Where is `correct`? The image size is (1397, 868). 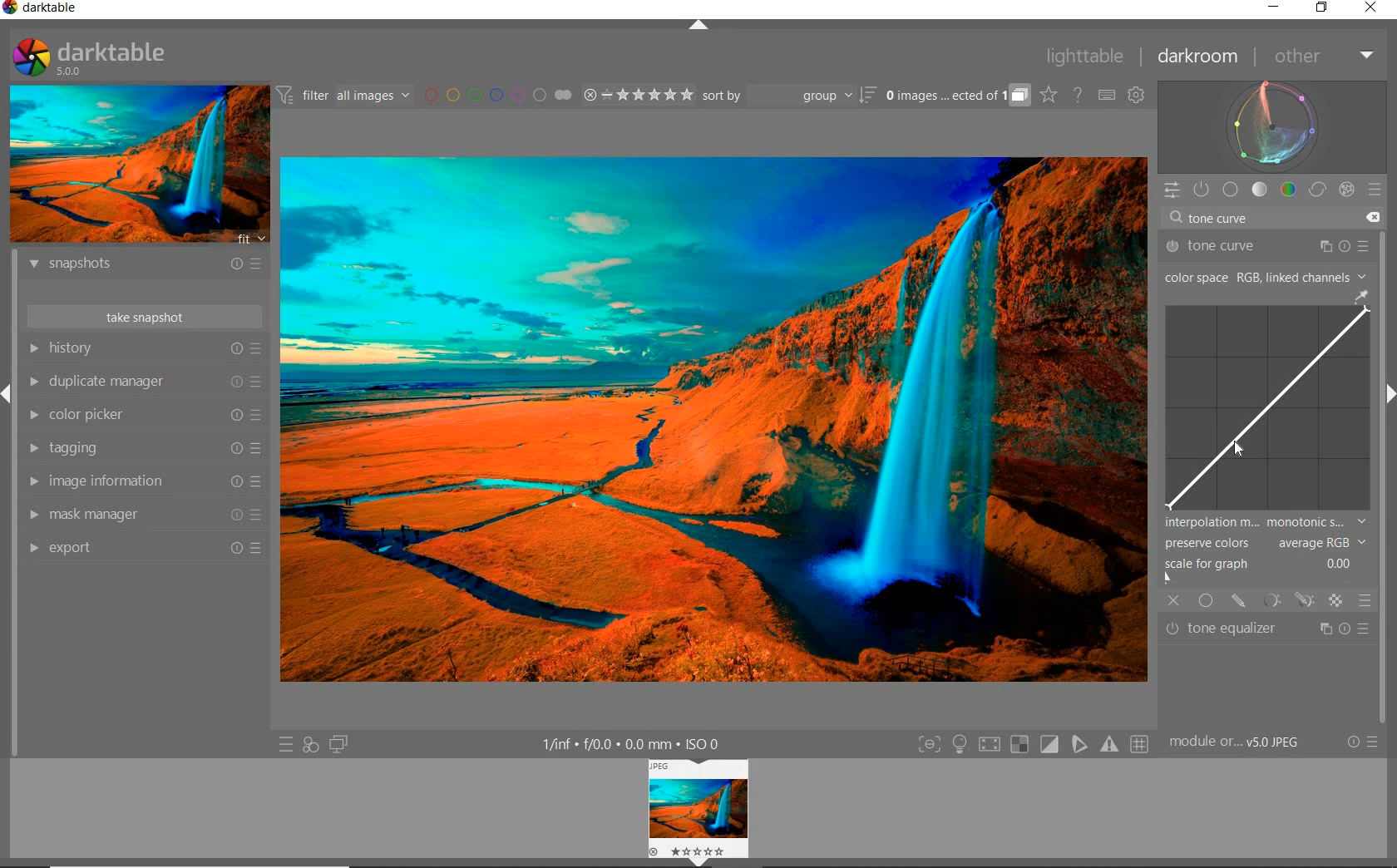 correct is located at coordinates (1316, 189).